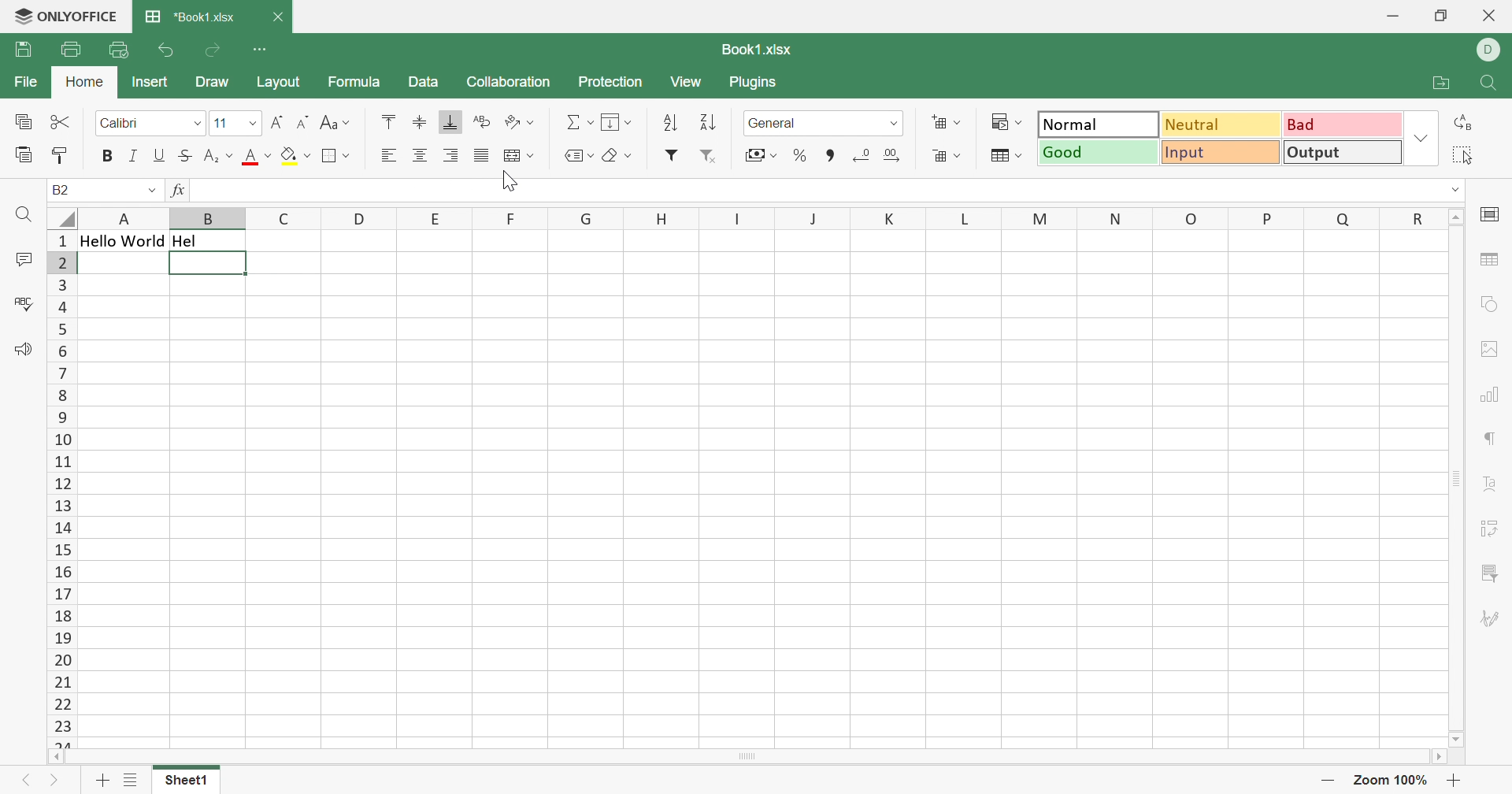 The height and width of the screenshot is (794, 1512). Describe the element at coordinates (61, 189) in the screenshot. I see `B1` at that location.